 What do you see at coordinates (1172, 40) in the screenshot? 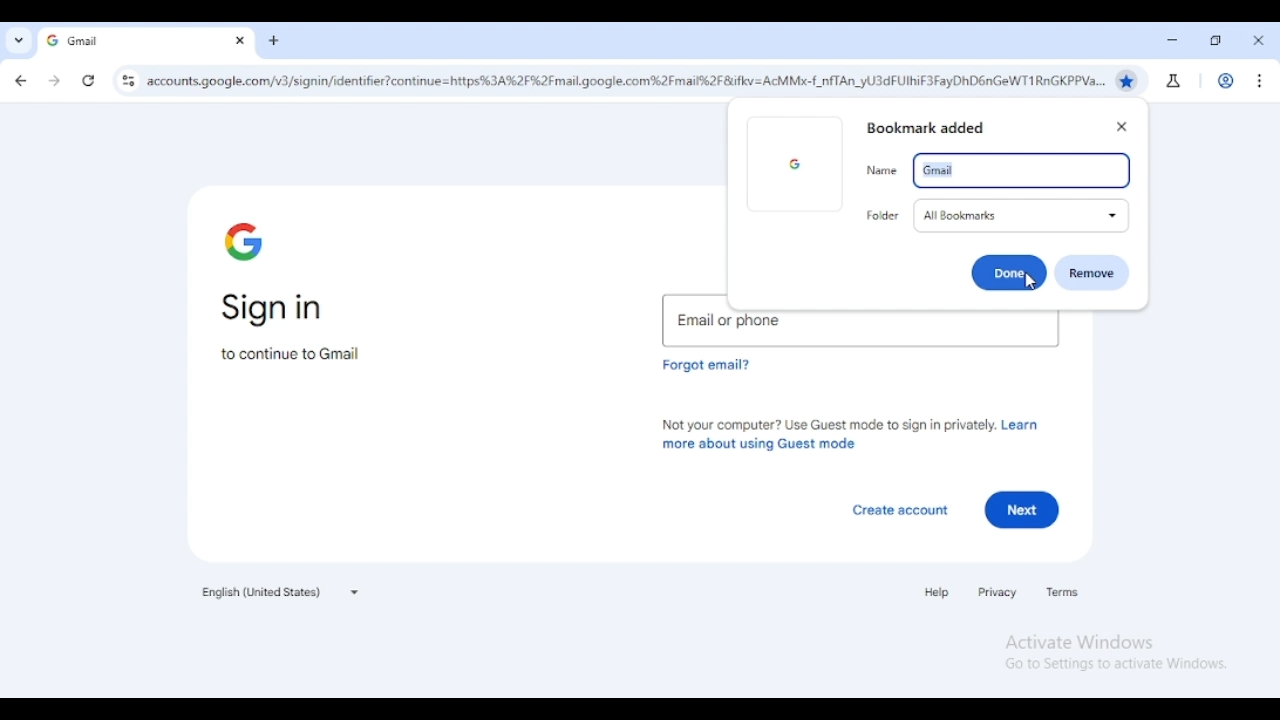
I see `minimize` at bounding box center [1172, 40].